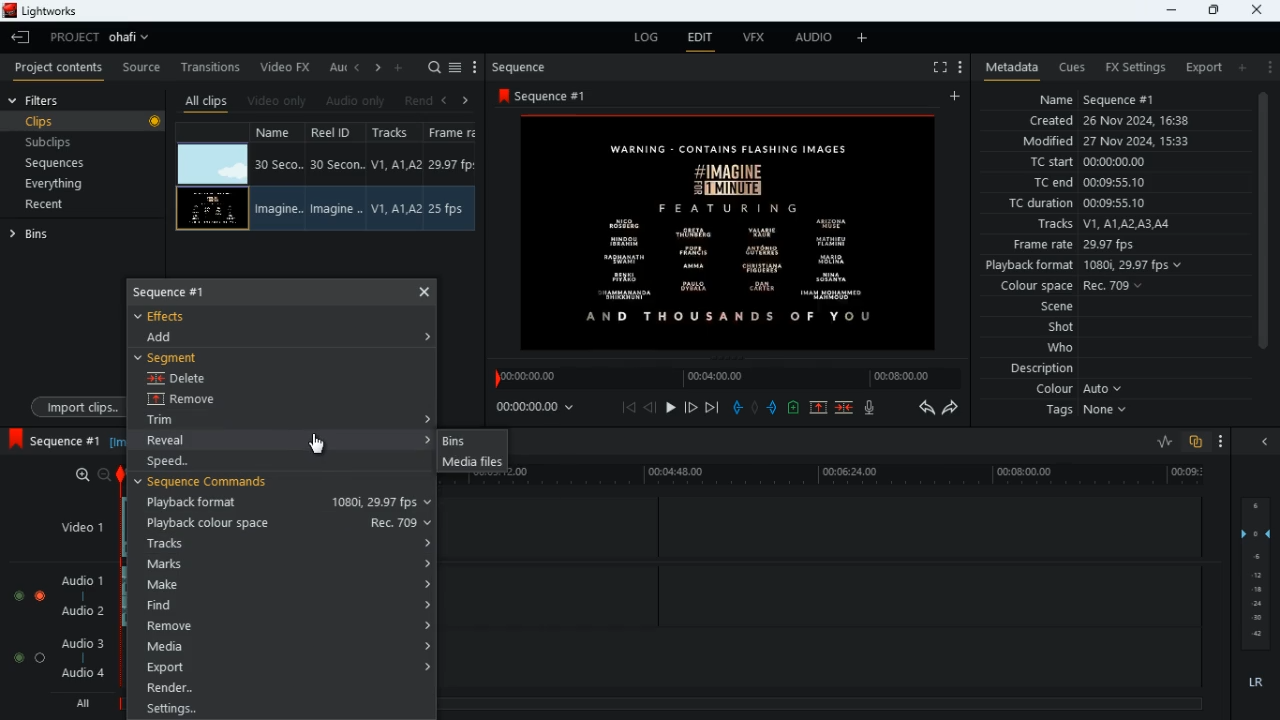 Image resolution: width=1280 pixels, height=720 pixels. What do you see at coordinates (187, 291) in the screenshot?
I see `sequence` at bounding box center [187, 291].